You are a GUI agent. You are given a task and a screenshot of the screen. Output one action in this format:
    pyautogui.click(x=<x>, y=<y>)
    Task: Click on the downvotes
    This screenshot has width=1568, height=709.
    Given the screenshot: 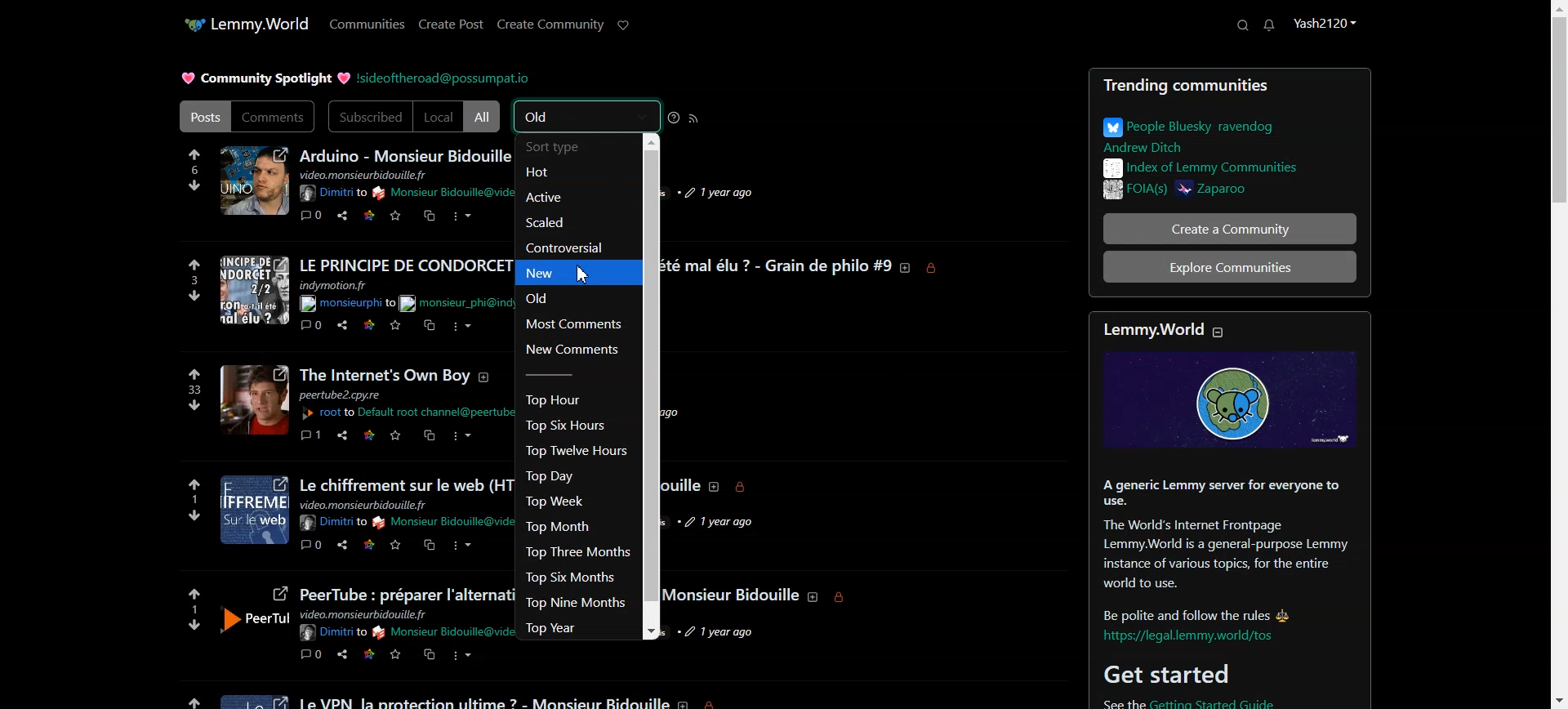 What is the action you would take?
    pyautogui.click(x=196, y=517)
    